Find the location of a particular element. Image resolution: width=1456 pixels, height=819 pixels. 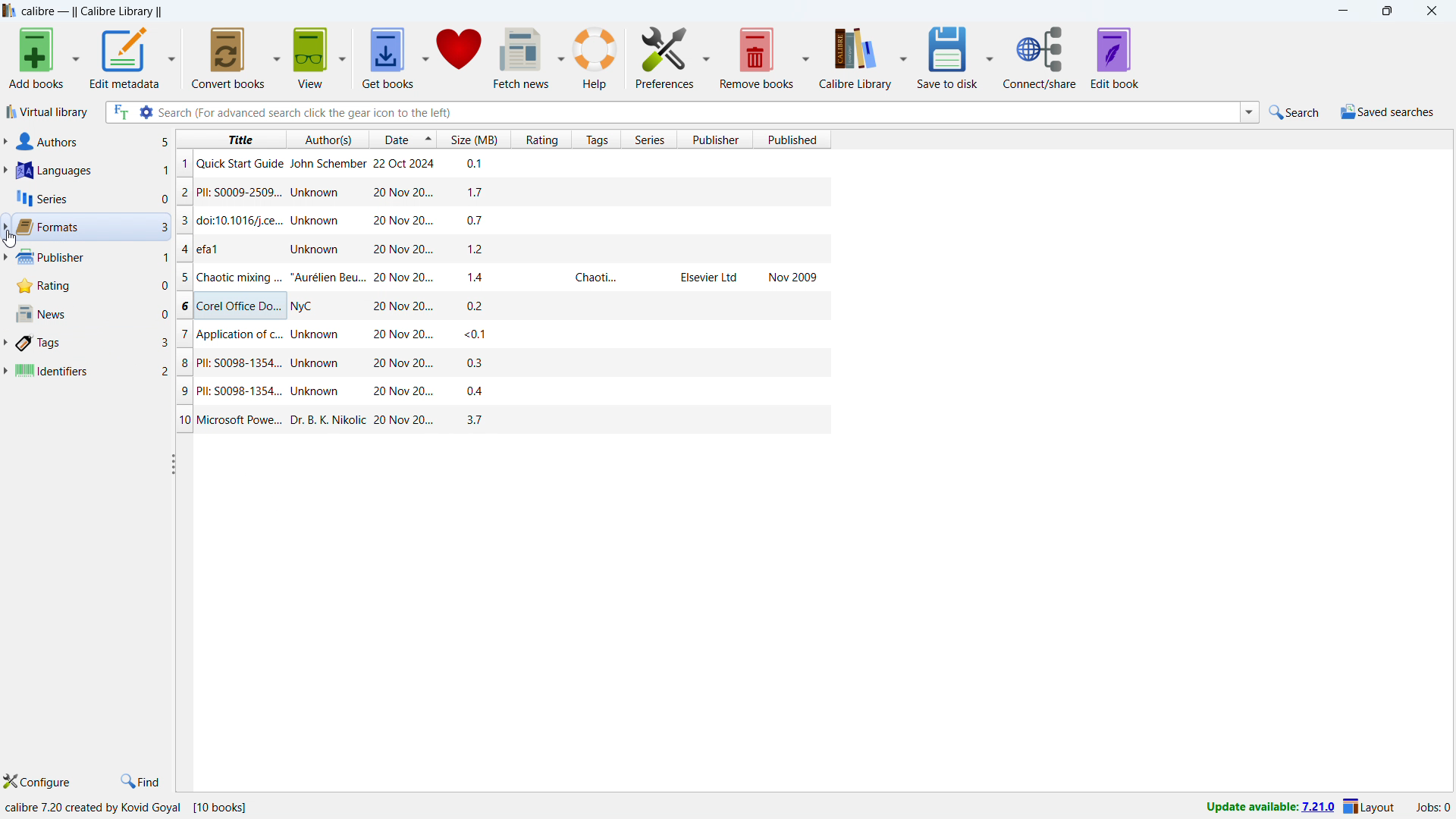

virtual library is located at coordinates (47, 111).